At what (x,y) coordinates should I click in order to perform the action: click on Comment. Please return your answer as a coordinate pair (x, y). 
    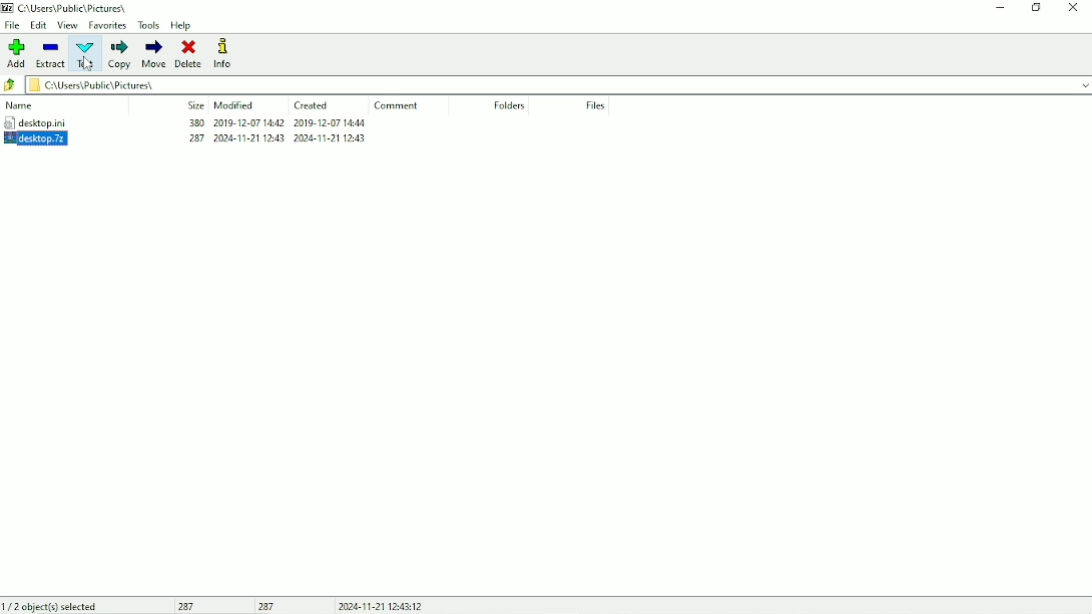
    Looking at the image, I should click on (398, 106).